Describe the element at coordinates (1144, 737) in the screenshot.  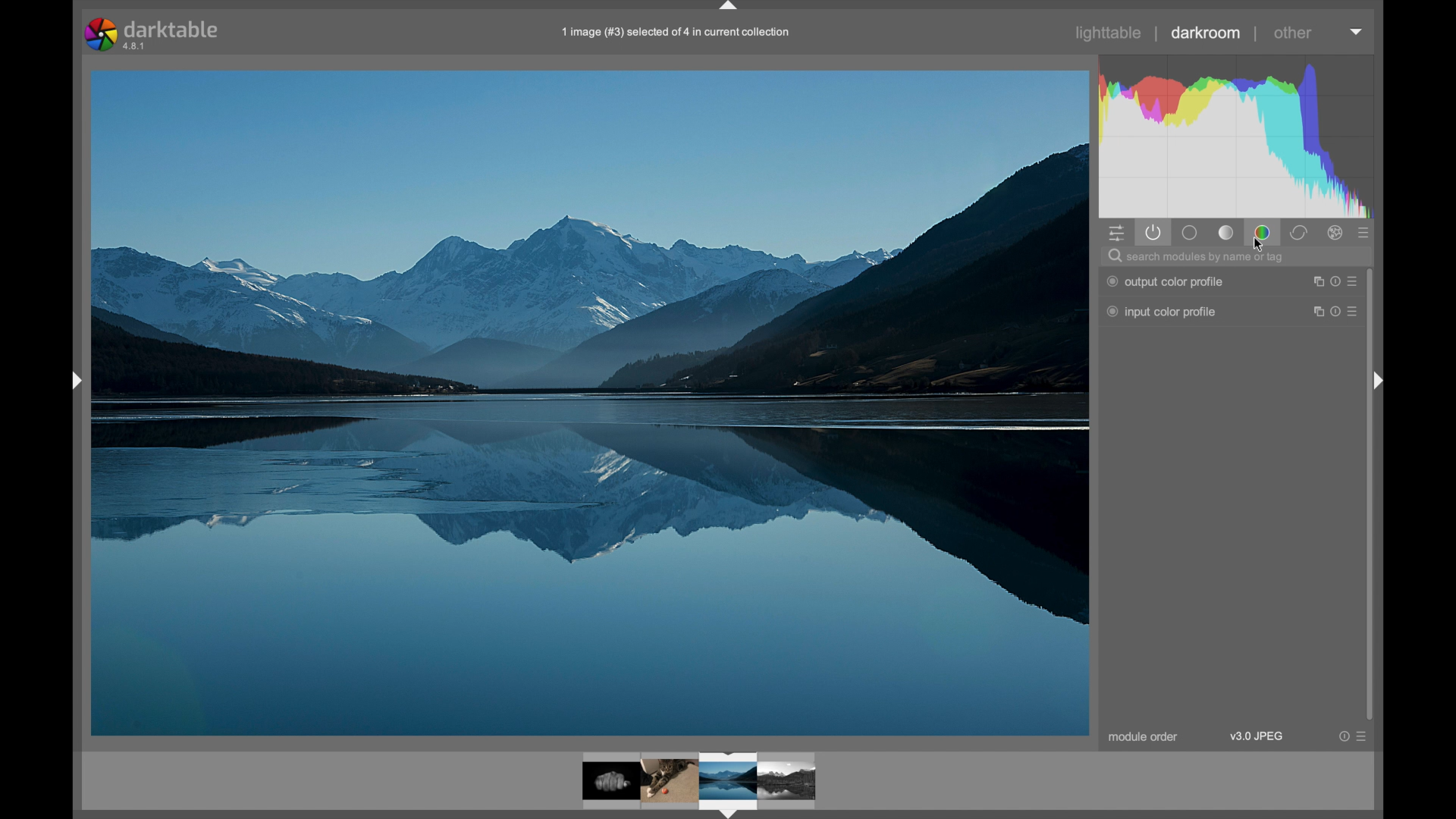
I see `module order` at that location.